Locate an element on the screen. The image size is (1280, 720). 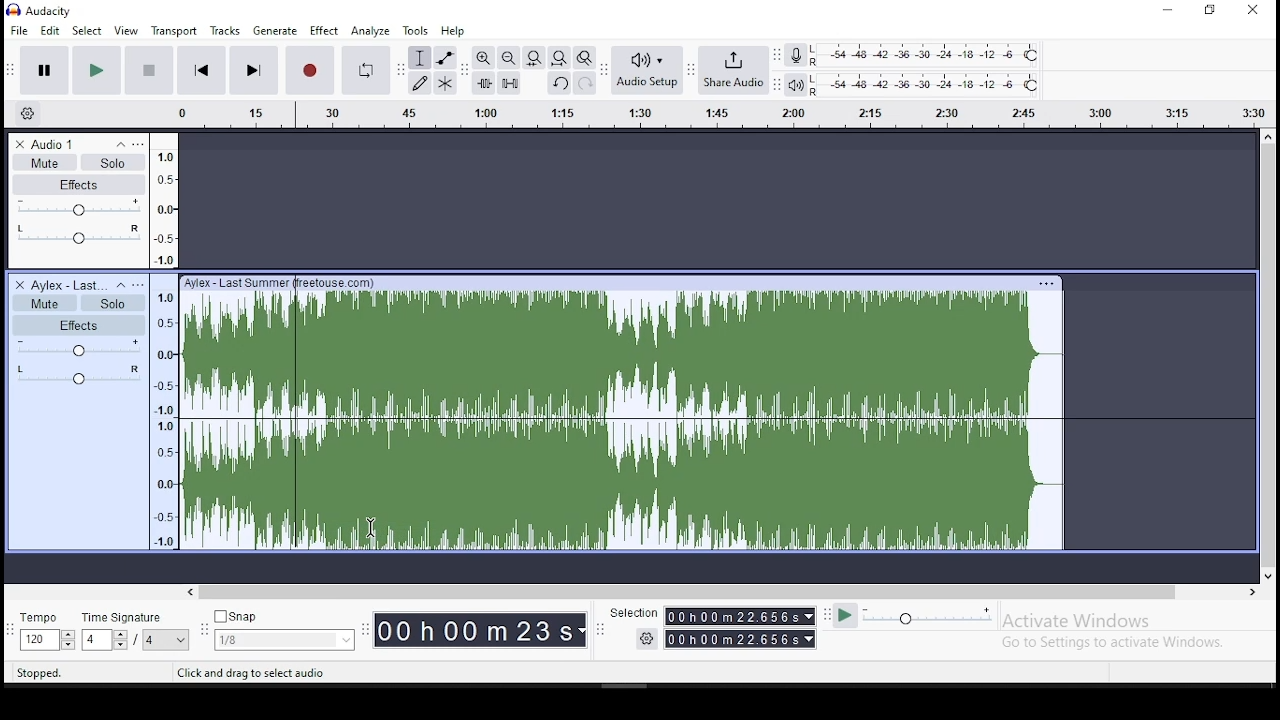
fit selection to width is located at coordinates (533, 58).